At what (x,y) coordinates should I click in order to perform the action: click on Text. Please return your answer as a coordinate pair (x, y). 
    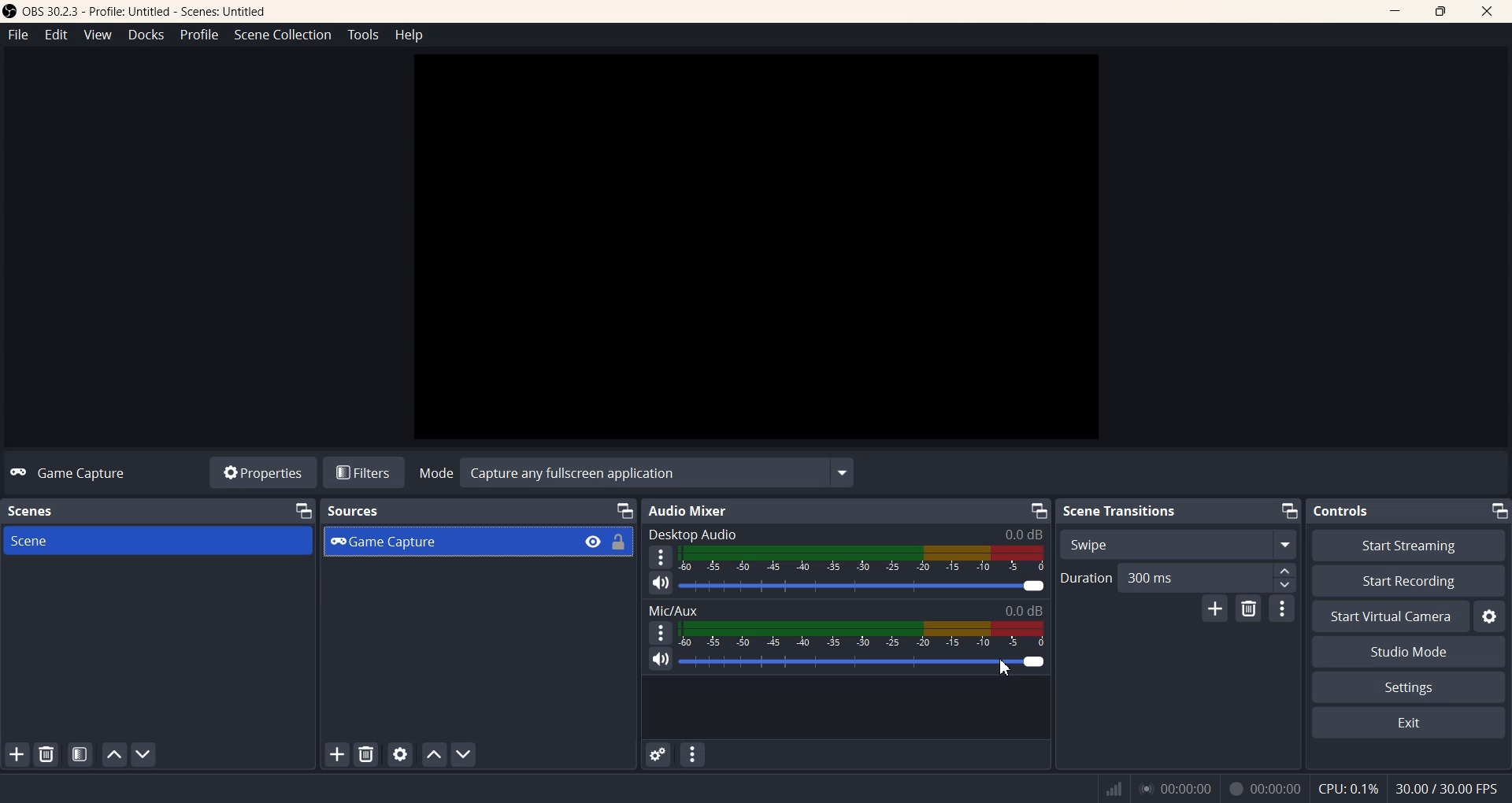
    Looking at the image, I should click on (1121, 512).